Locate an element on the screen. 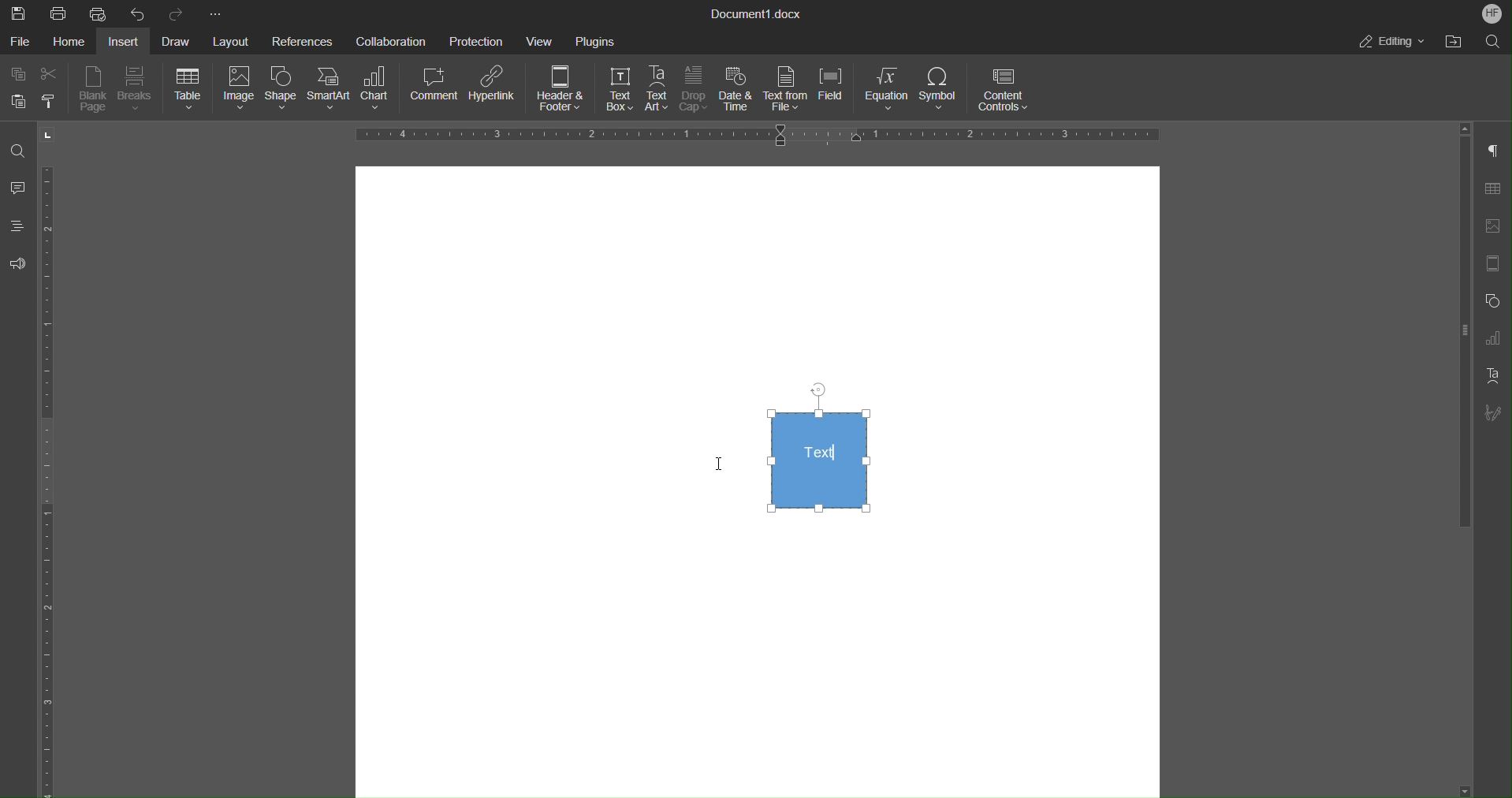 The image size is (1512, 798). Horizontal Ruler is located at coordinates (54, 480).